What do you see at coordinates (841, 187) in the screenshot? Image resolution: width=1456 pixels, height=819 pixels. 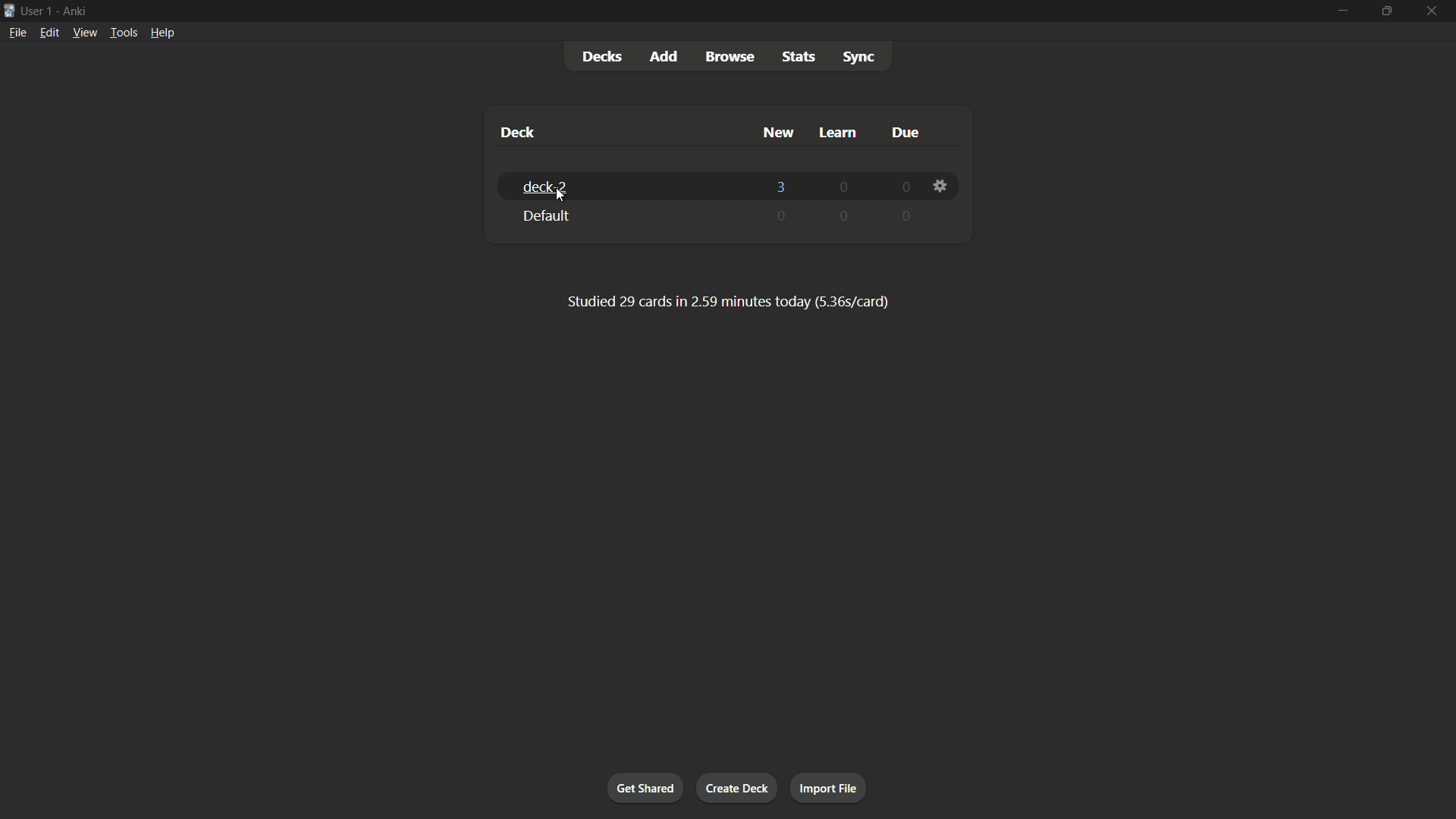 I see `0` at bounding box center [841, 187].